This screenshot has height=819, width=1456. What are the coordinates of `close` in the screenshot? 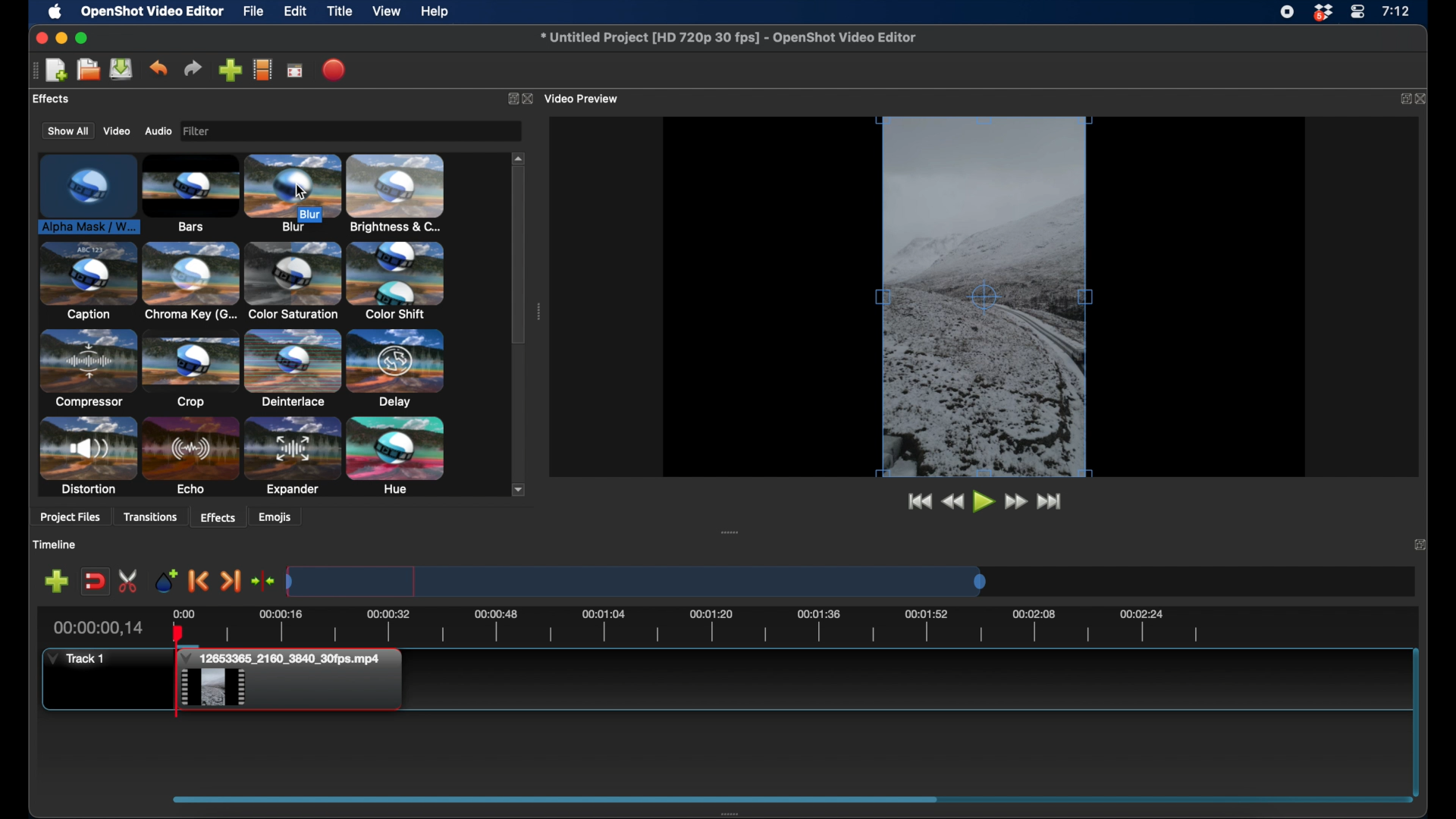 It's located at (531, 99).